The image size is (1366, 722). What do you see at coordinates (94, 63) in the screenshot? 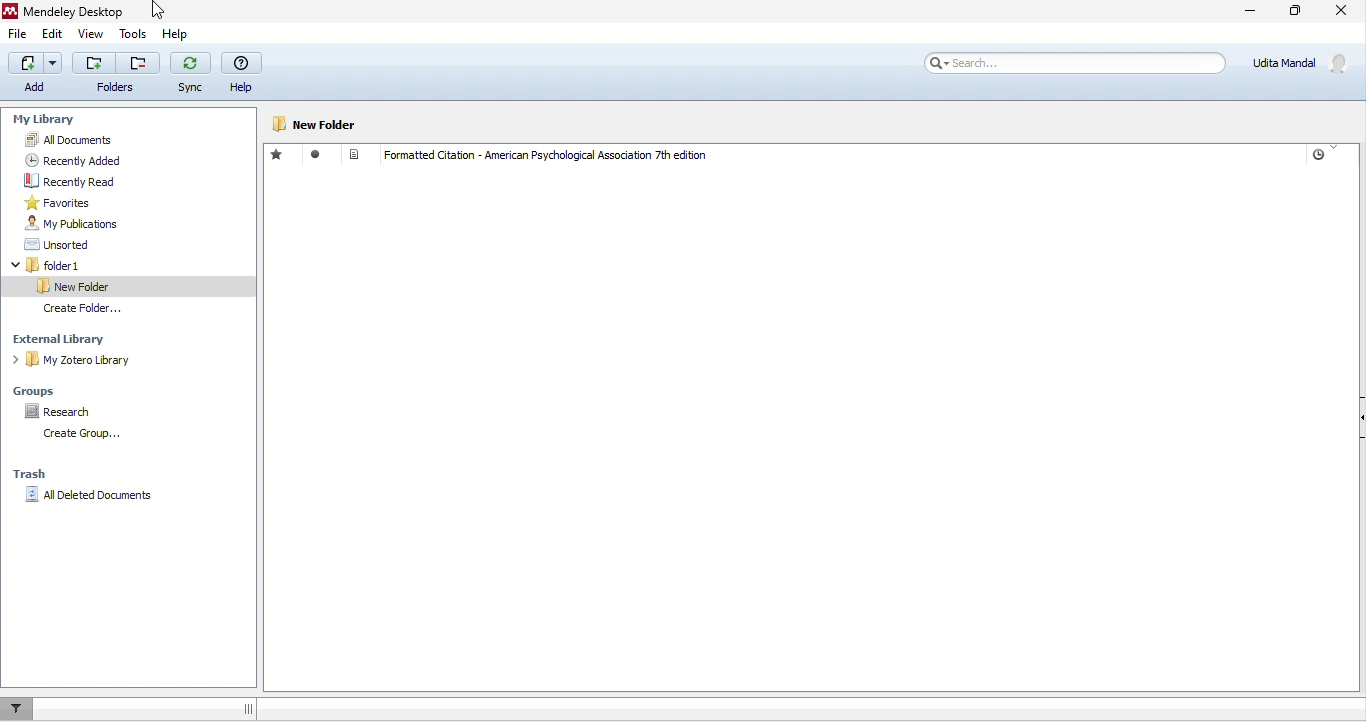
I see `Add folder` at bounding box center [94, 63].